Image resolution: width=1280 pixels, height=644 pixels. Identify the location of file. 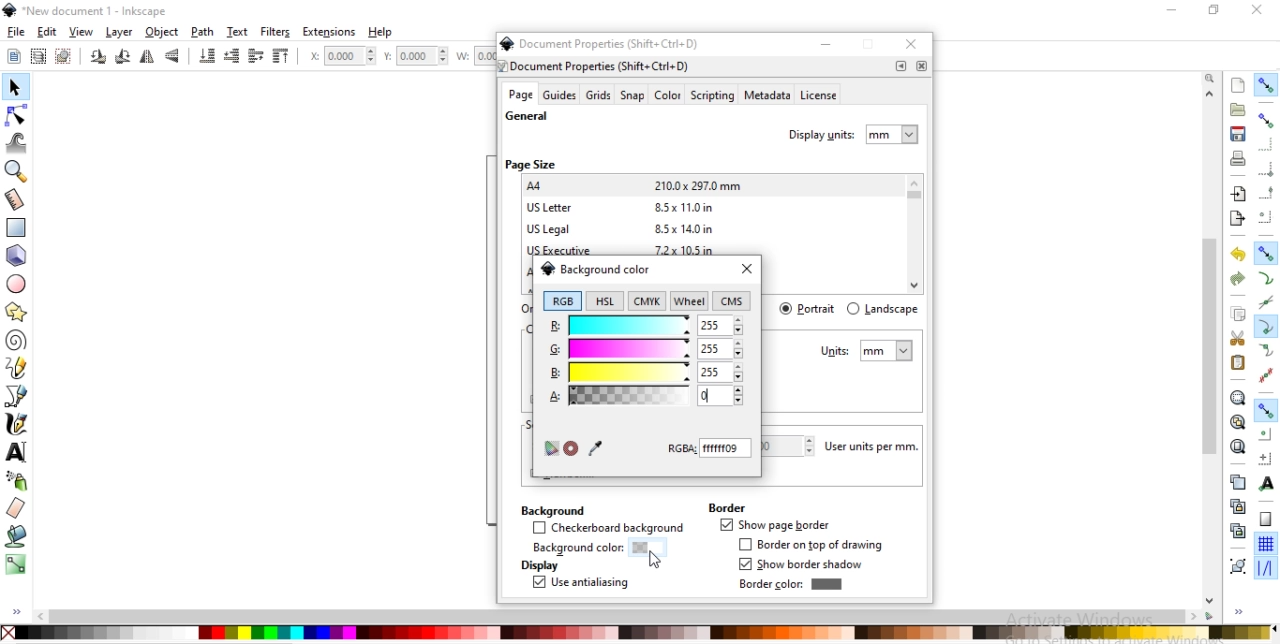
(16, 32).